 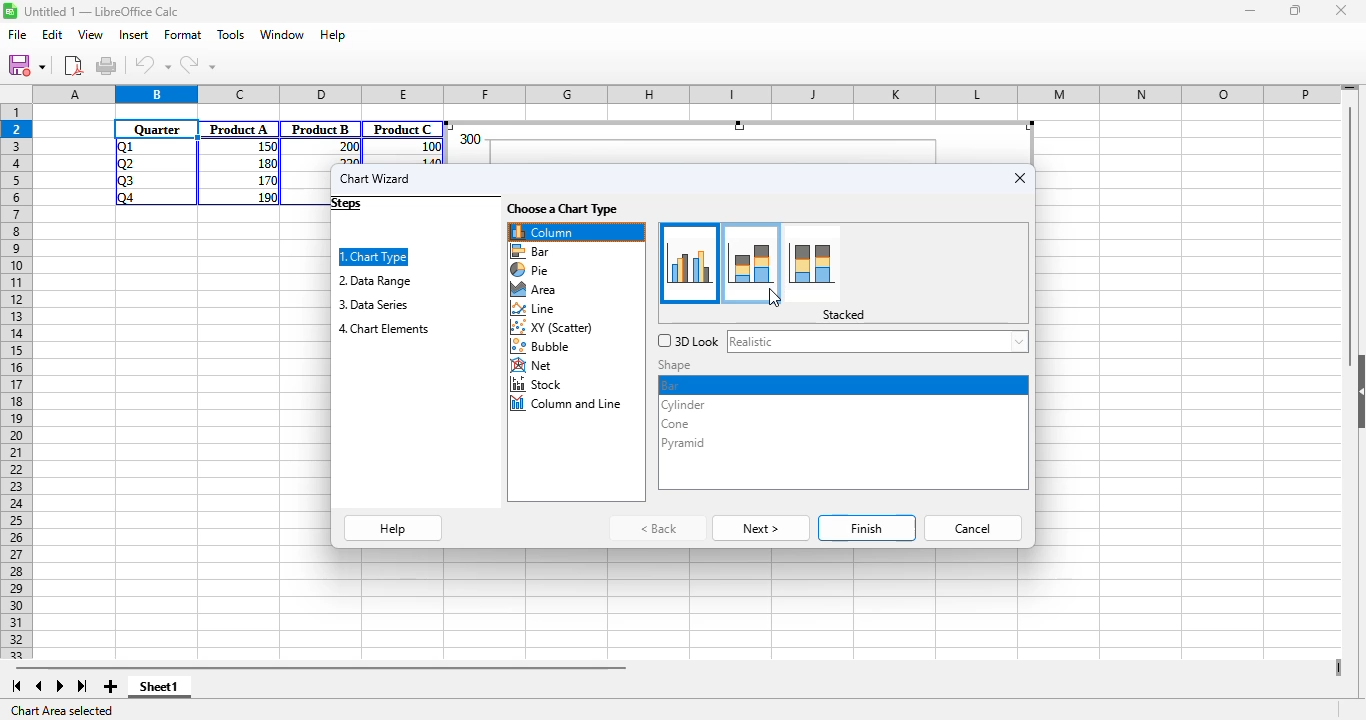 I want to click on bubble, so click(x=545, y=347).